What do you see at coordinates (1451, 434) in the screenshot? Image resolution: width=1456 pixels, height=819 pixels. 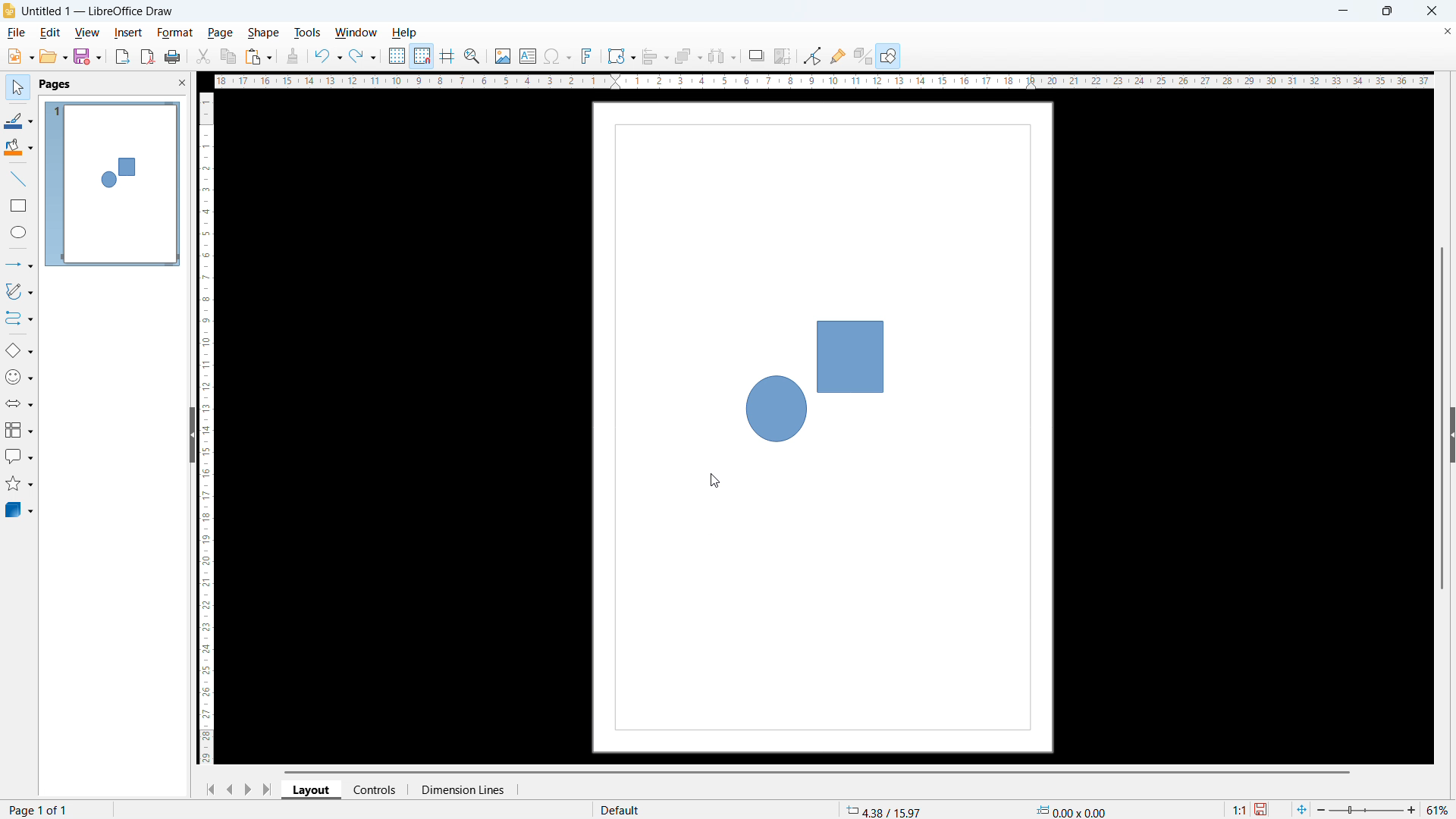 I see `expand ` at bounding box center [1451, 434].